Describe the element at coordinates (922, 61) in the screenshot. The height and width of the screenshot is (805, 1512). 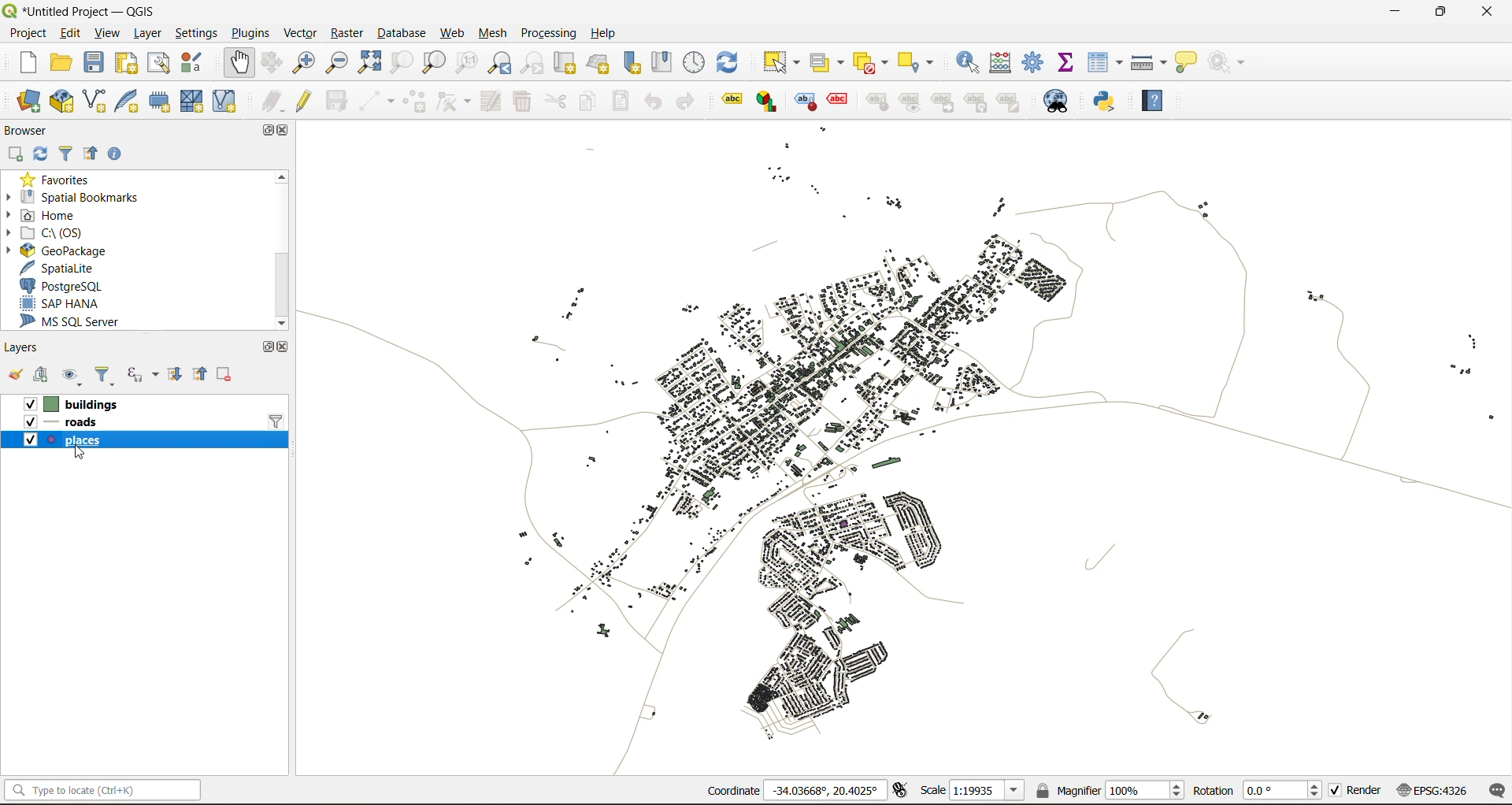
I see `select location` at that location.